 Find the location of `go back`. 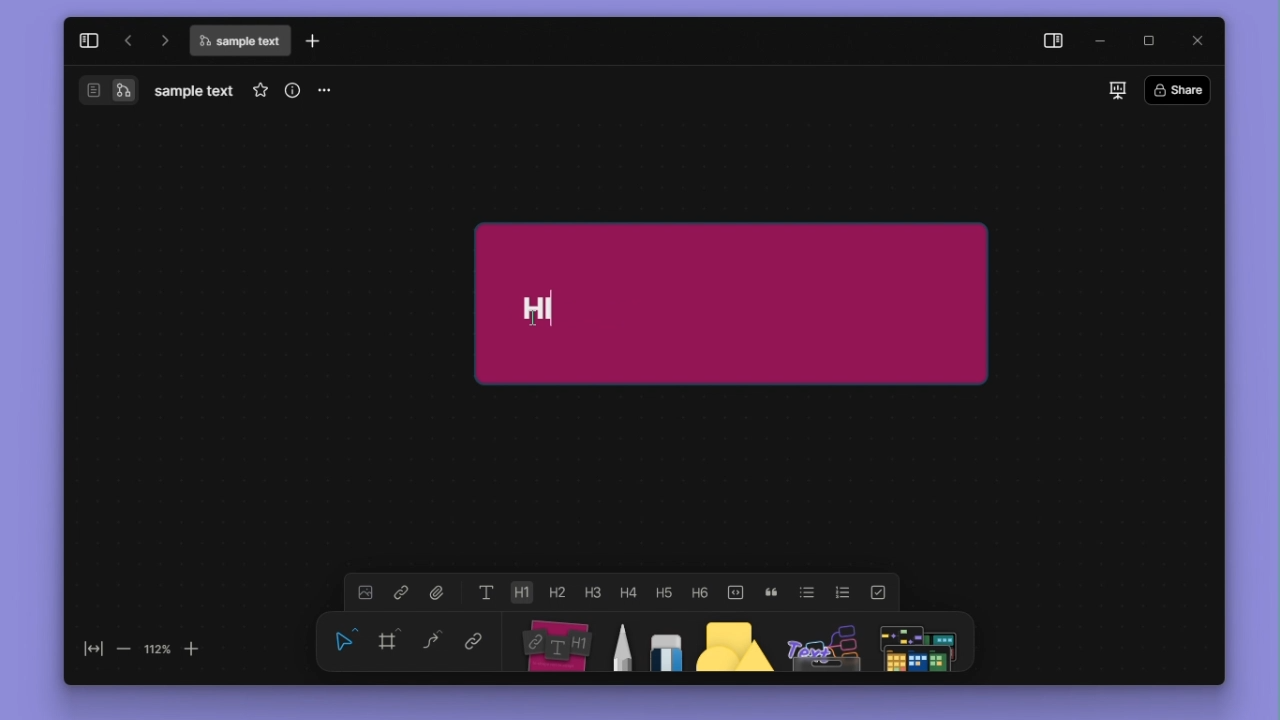

go back is located at coordinates (128, 40).